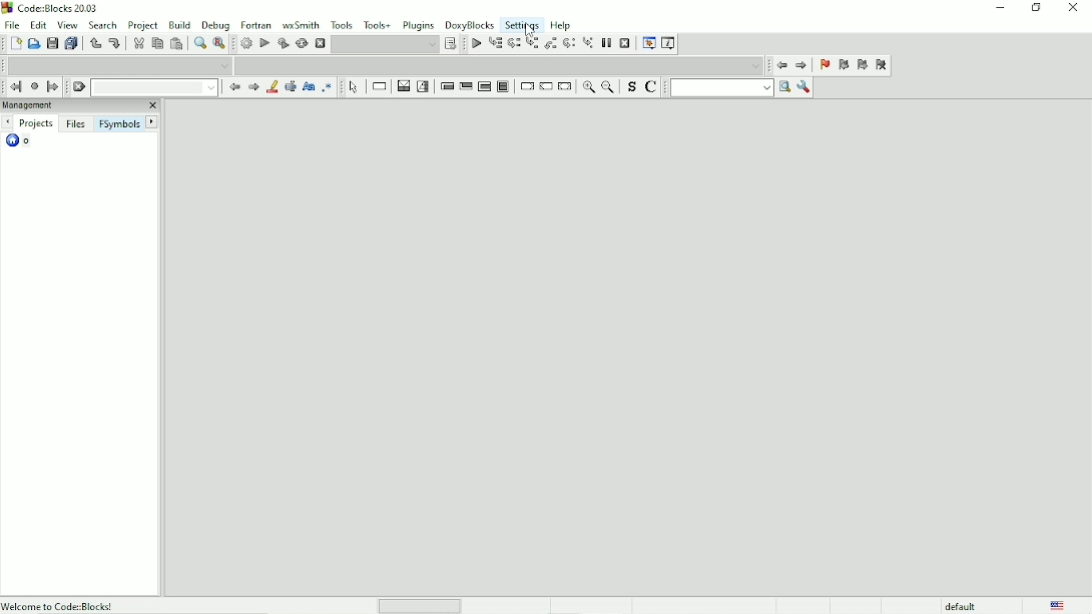 Image resolution: width=1092 pixels, height=614 pixels. Describe the element at coordinates (1058, 605) in the screenshot. I see `Language` at that location.